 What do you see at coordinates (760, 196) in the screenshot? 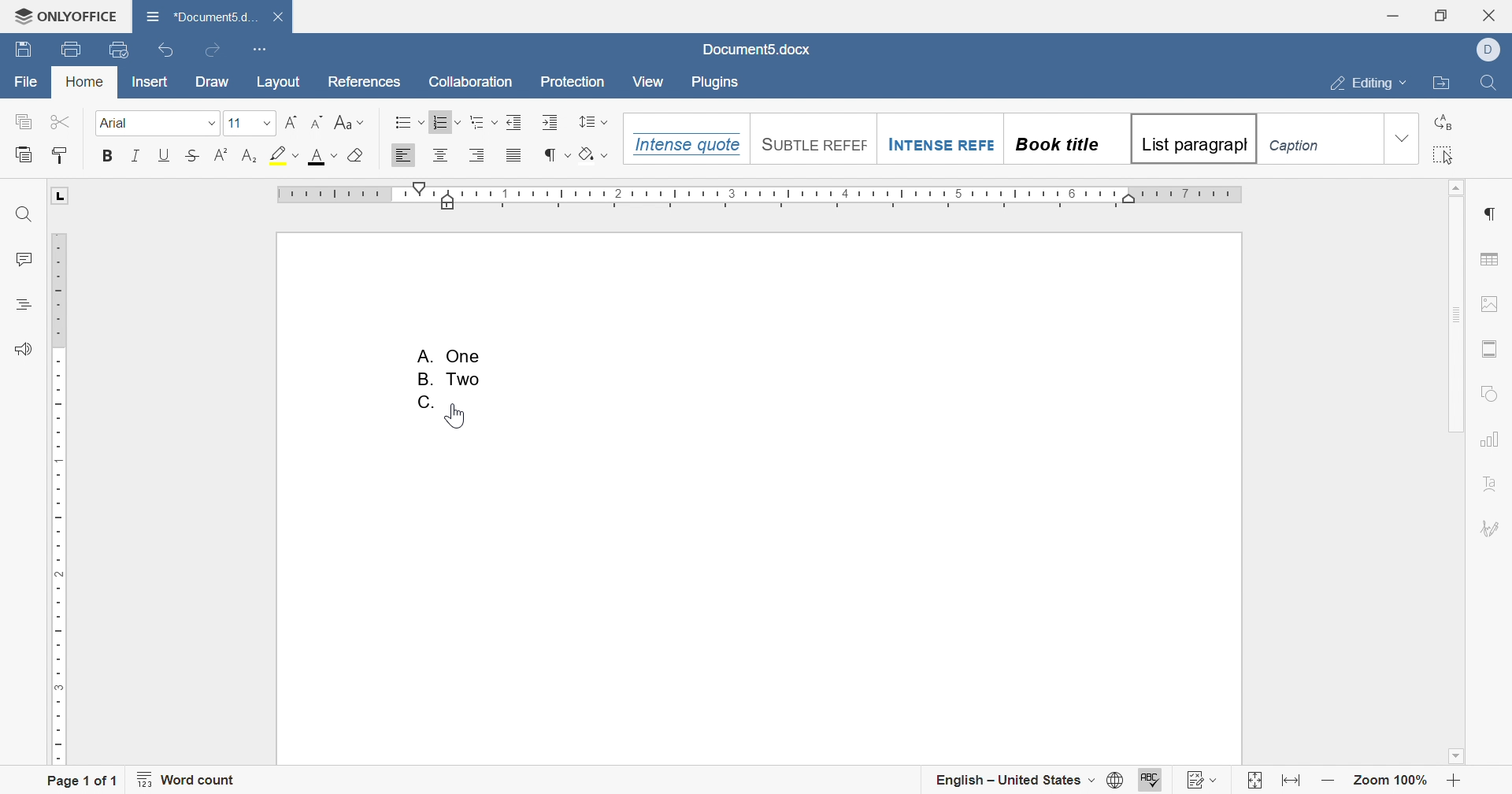
I see `ruler` at bounding box center [760, 196].